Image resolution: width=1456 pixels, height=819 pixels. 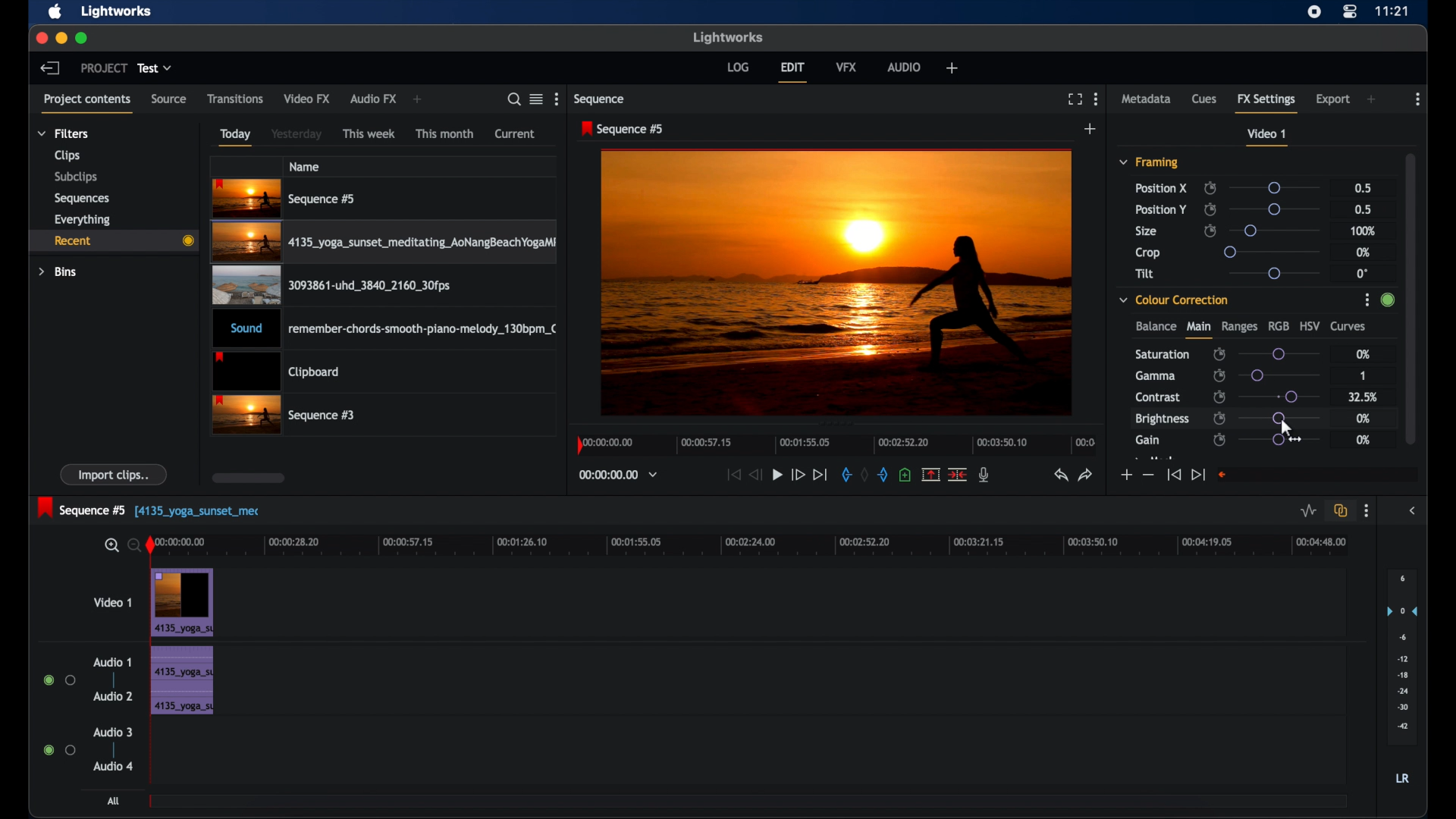 I want to click on current, so click(x=515, y=133).